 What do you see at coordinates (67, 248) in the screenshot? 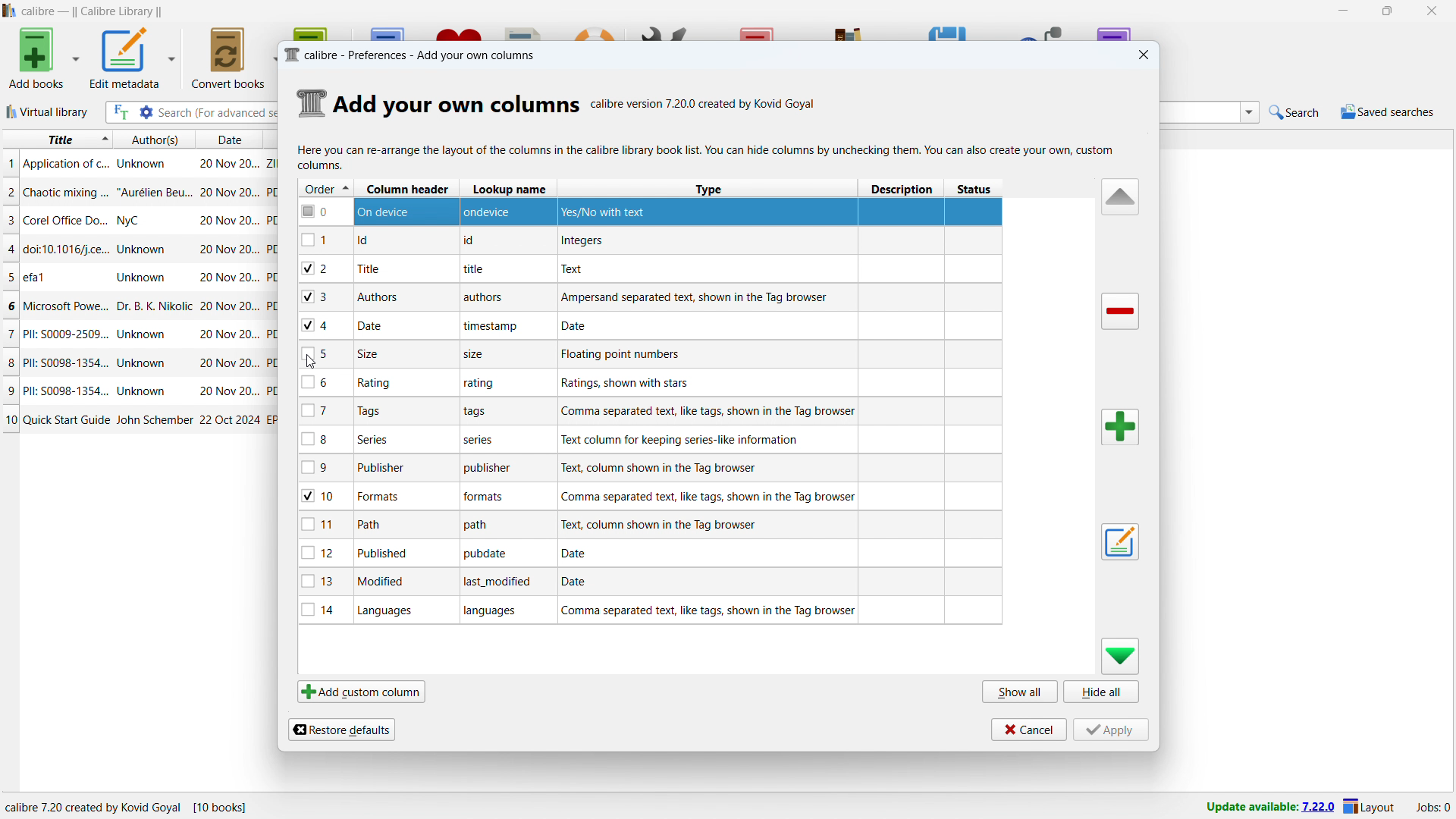
I see `title` at bounding box center [67, 248].